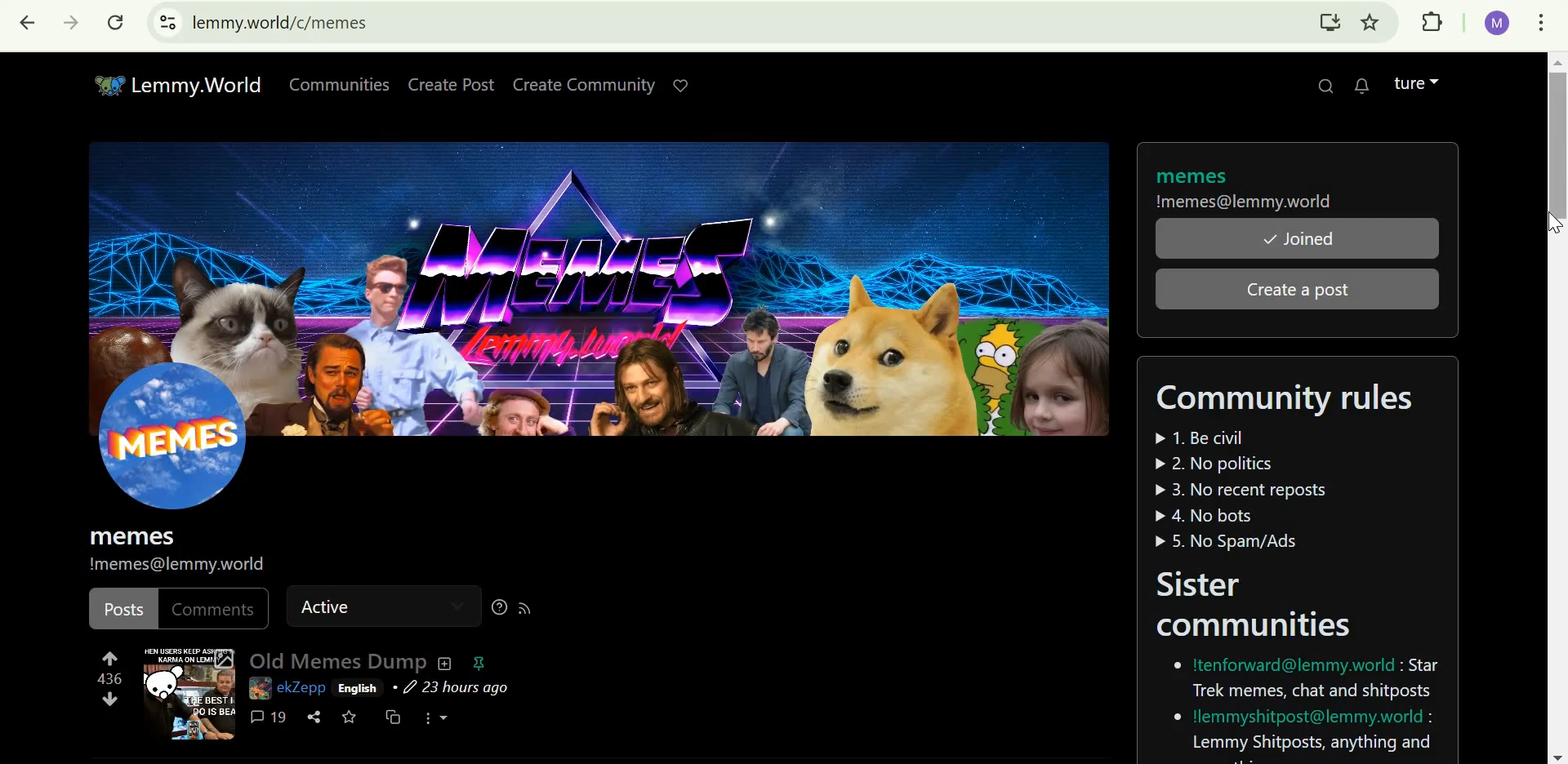  Describe the element at coordinates (1310, 288) in the screenshot. I see `create a post` at that location.